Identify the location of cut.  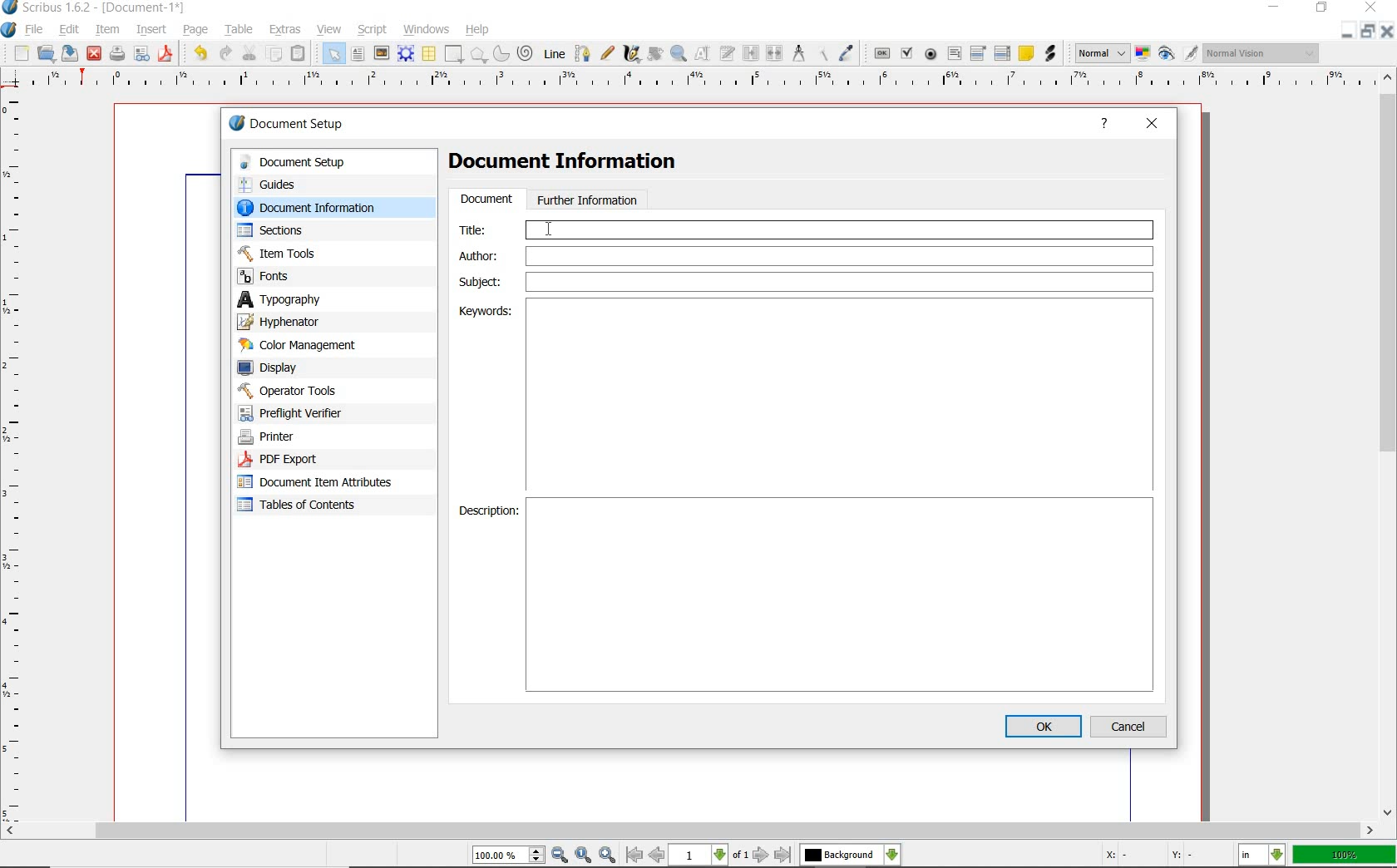
(250, 53).